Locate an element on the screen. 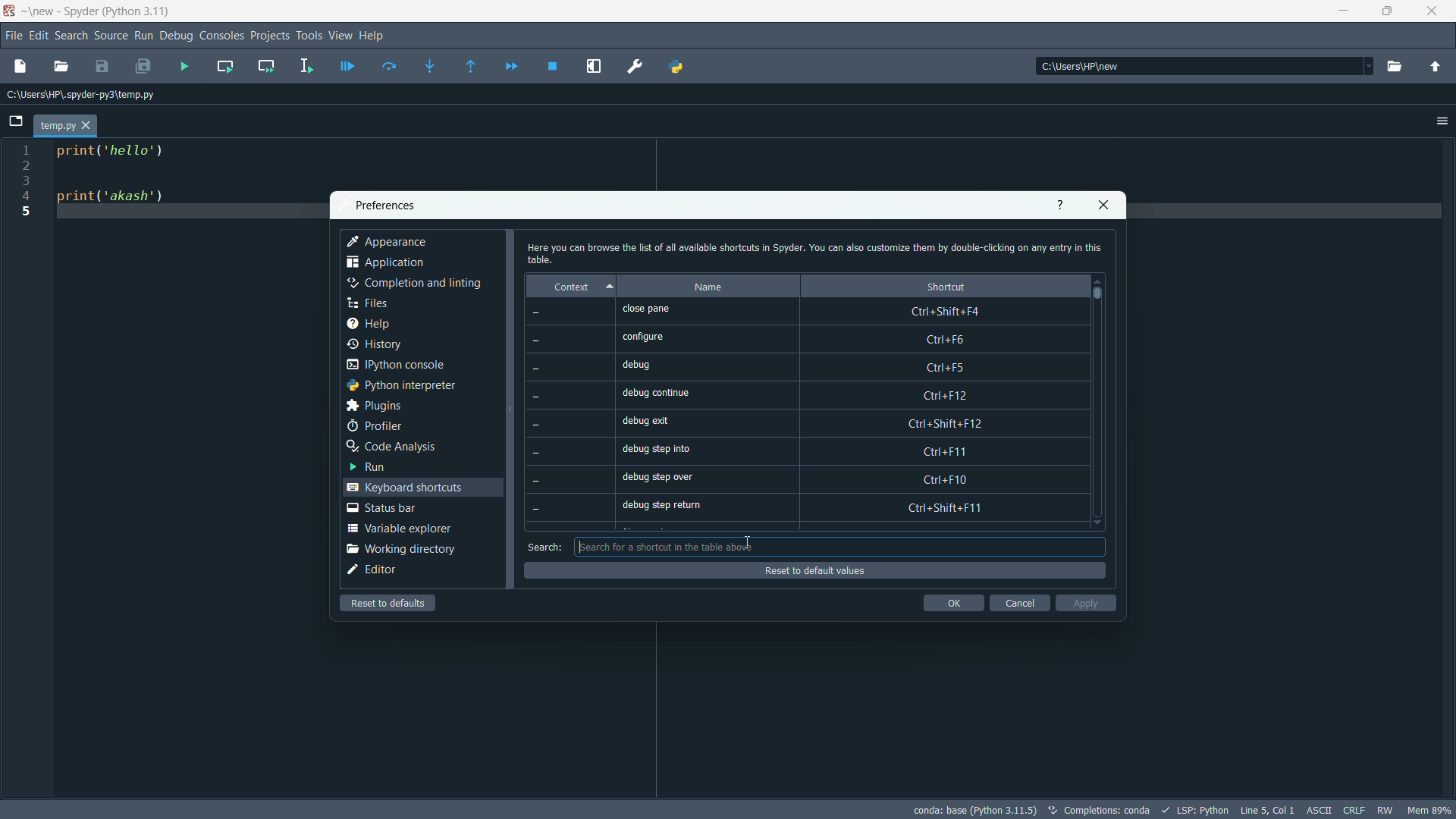  ipython console is located at coordinates (402, 364).